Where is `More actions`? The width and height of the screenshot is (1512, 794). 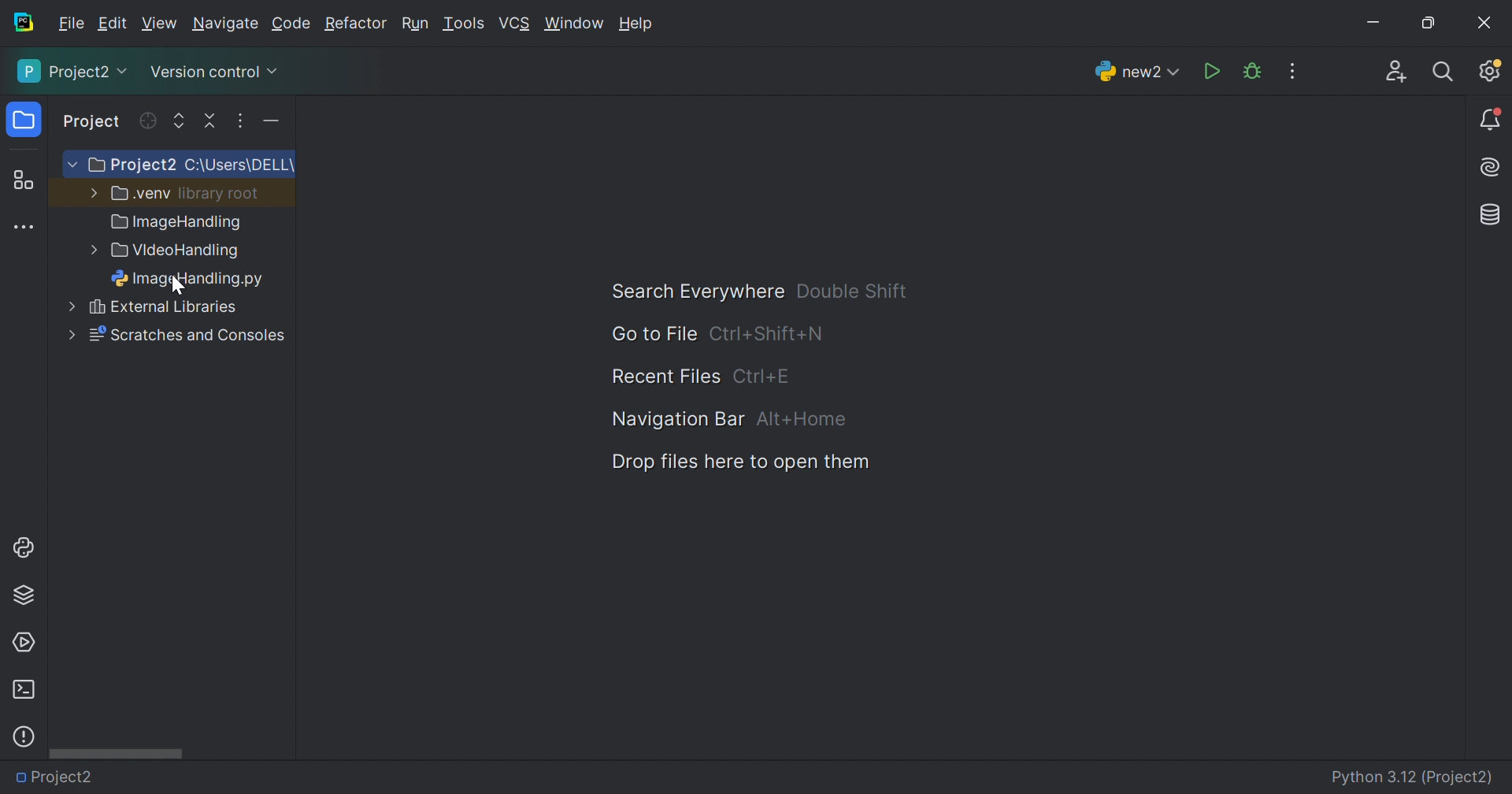 More actions is located at coordinates (267, 124).